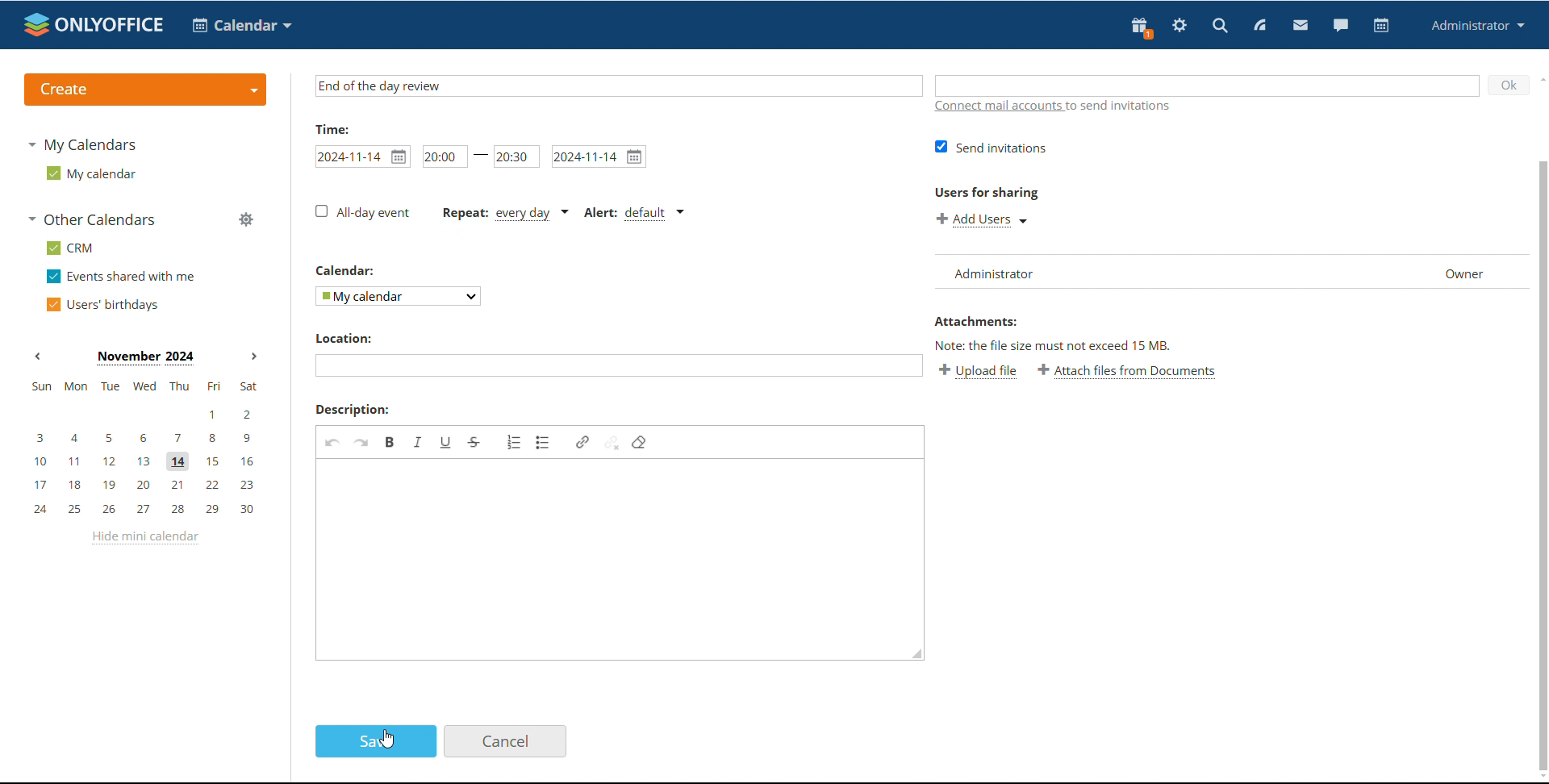 The image size is (1549, 784). What do you see at coordinates (242, 25) in the screenshot?
I see `calendar` at bounding box center [242, 25].